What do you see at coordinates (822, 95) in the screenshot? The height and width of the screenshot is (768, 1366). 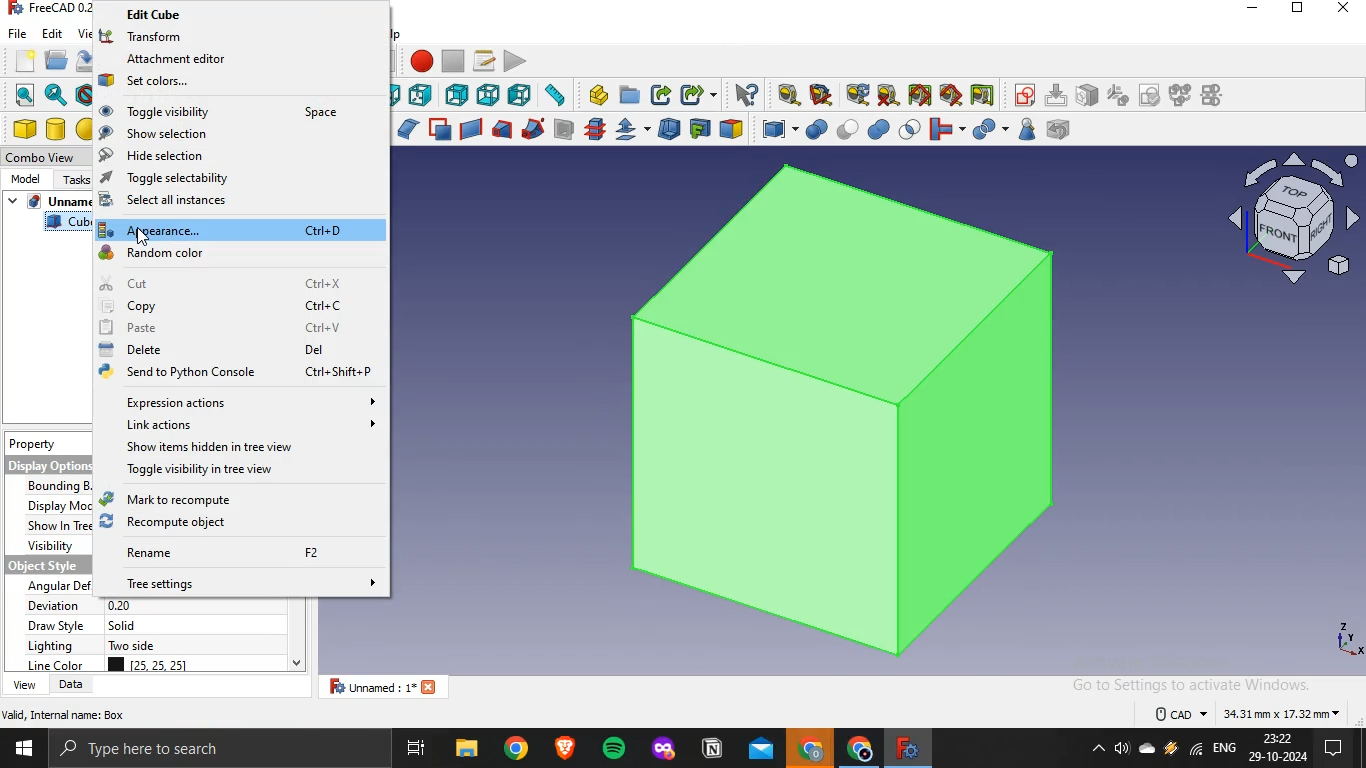 I see `measure angular` at bounding box center [822, 95].